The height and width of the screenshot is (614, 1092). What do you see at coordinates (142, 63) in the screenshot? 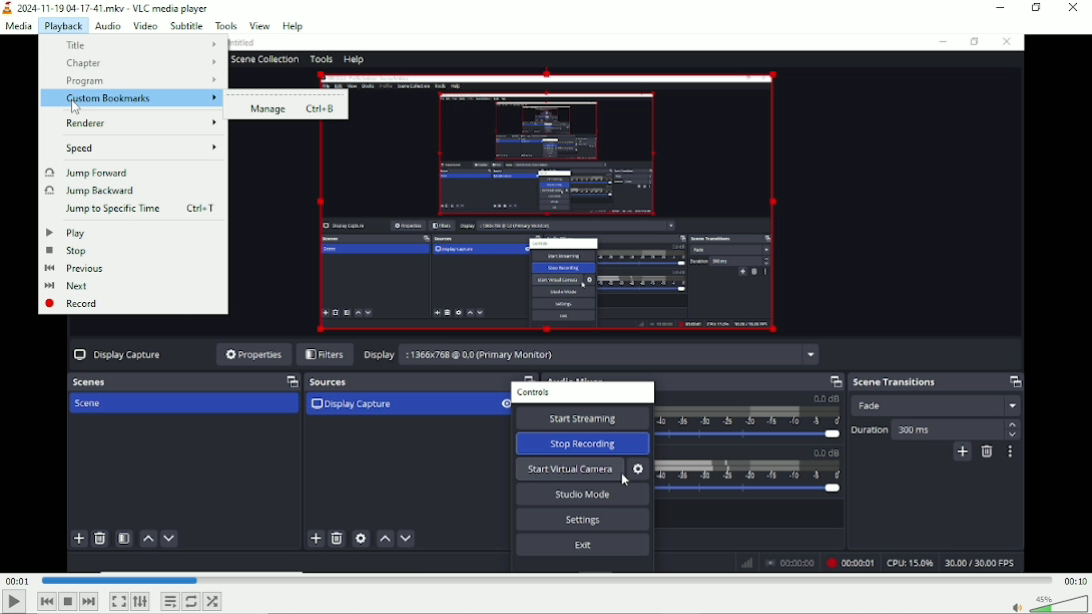
I see `Chapter` at bounding box center [142, 63].